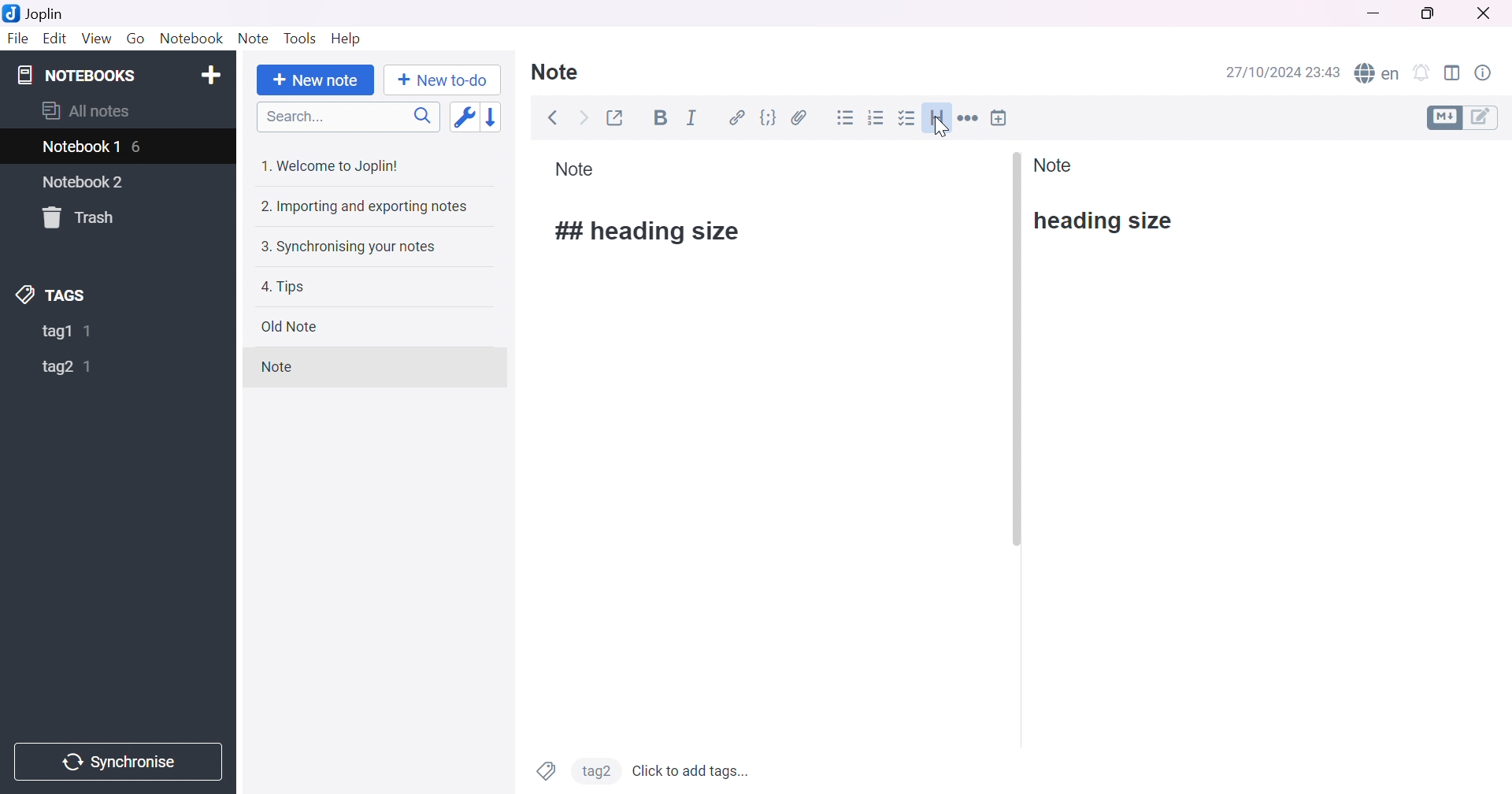 This screenshot has height=794, width=1512. Describe the element at coordinates (939, 130) in the screenshot. I see `cursor` at that location.